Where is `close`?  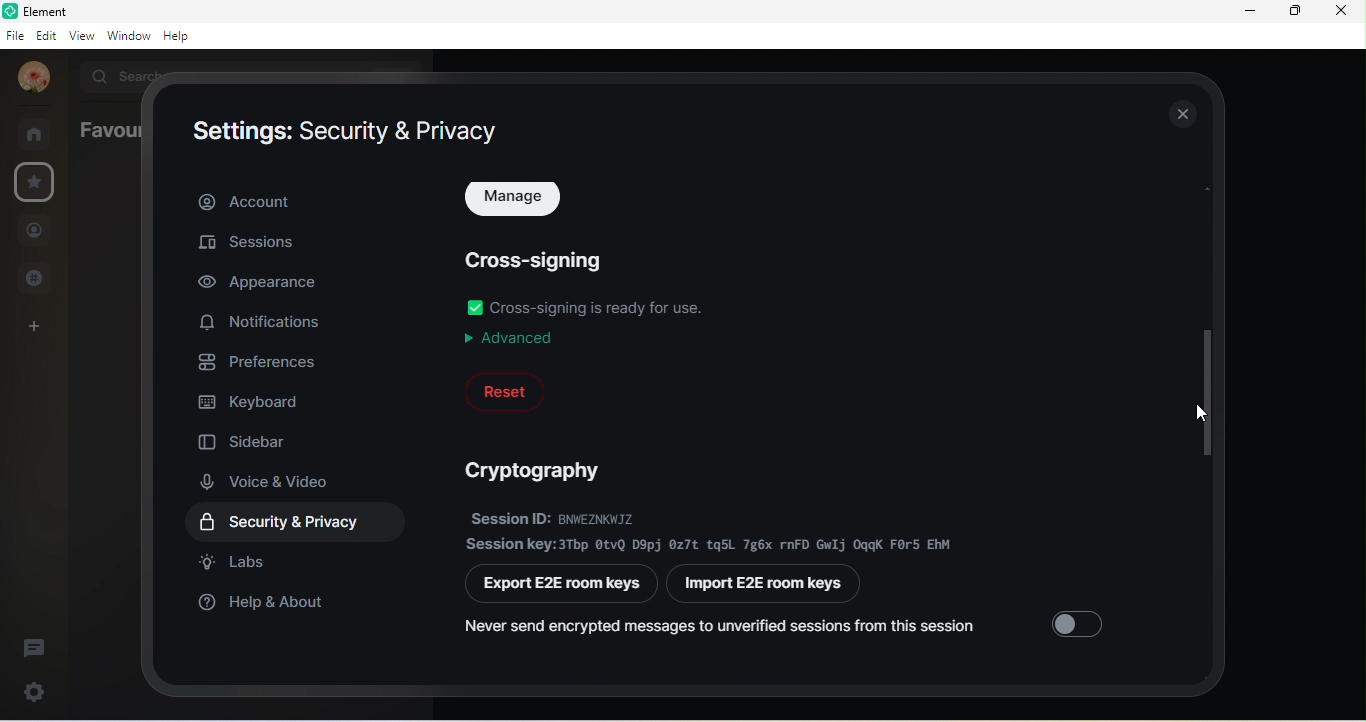 close is located at coordinates (1181, 113).